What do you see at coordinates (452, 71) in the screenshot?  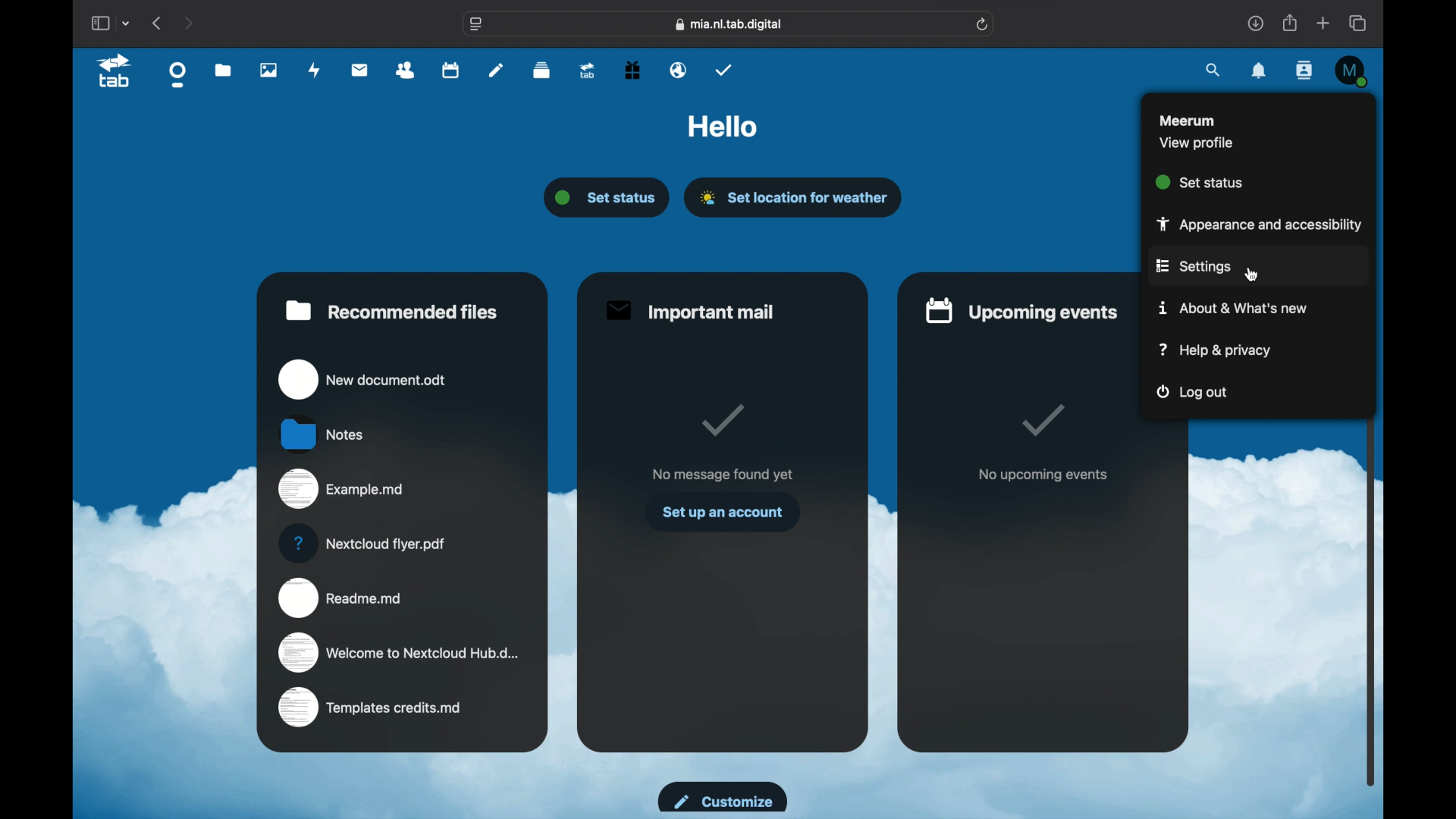 I see `calendar` at bounding box center [452, 71].